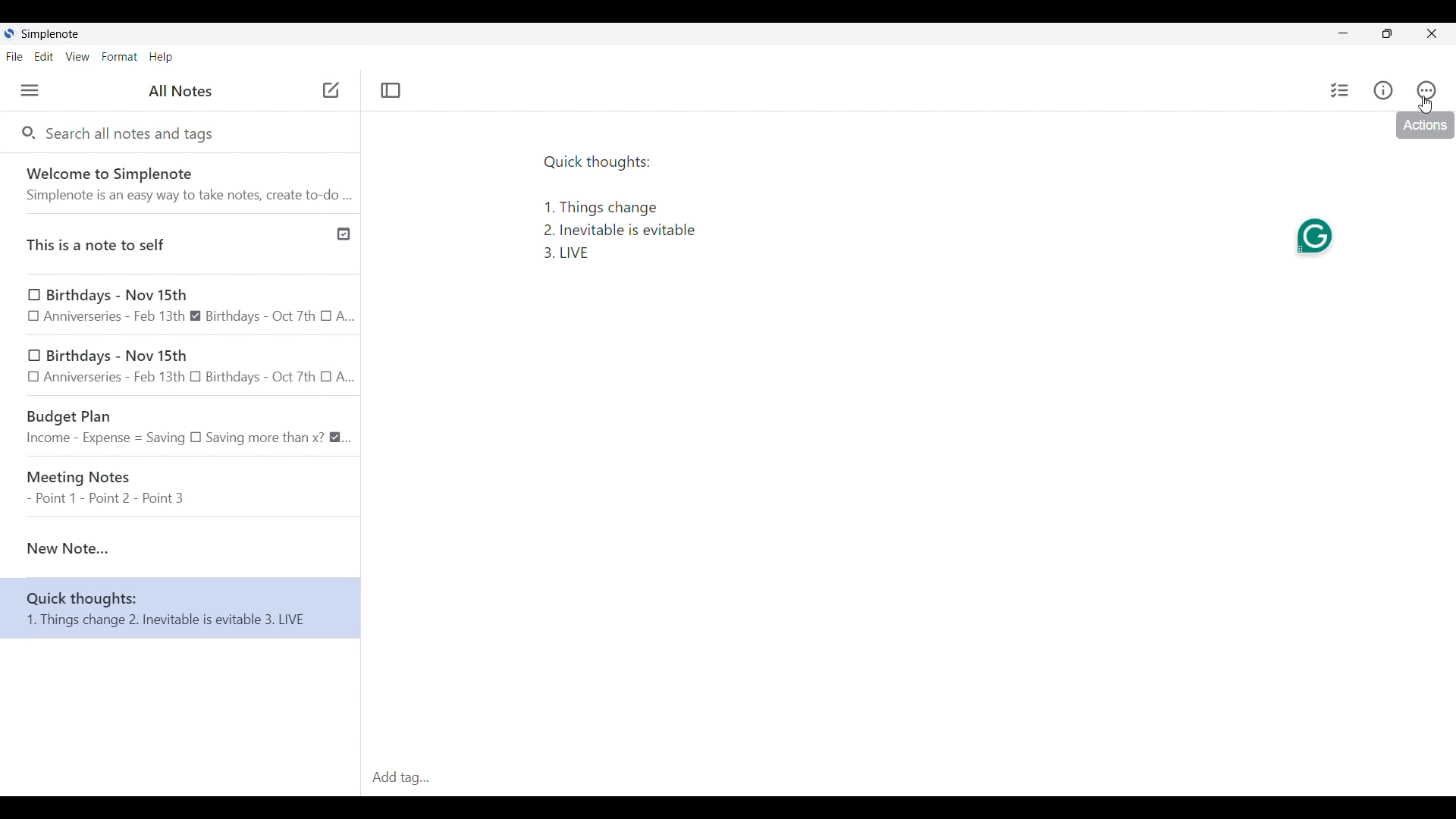  I want to click on Meeting Notes, so click(182, 482).